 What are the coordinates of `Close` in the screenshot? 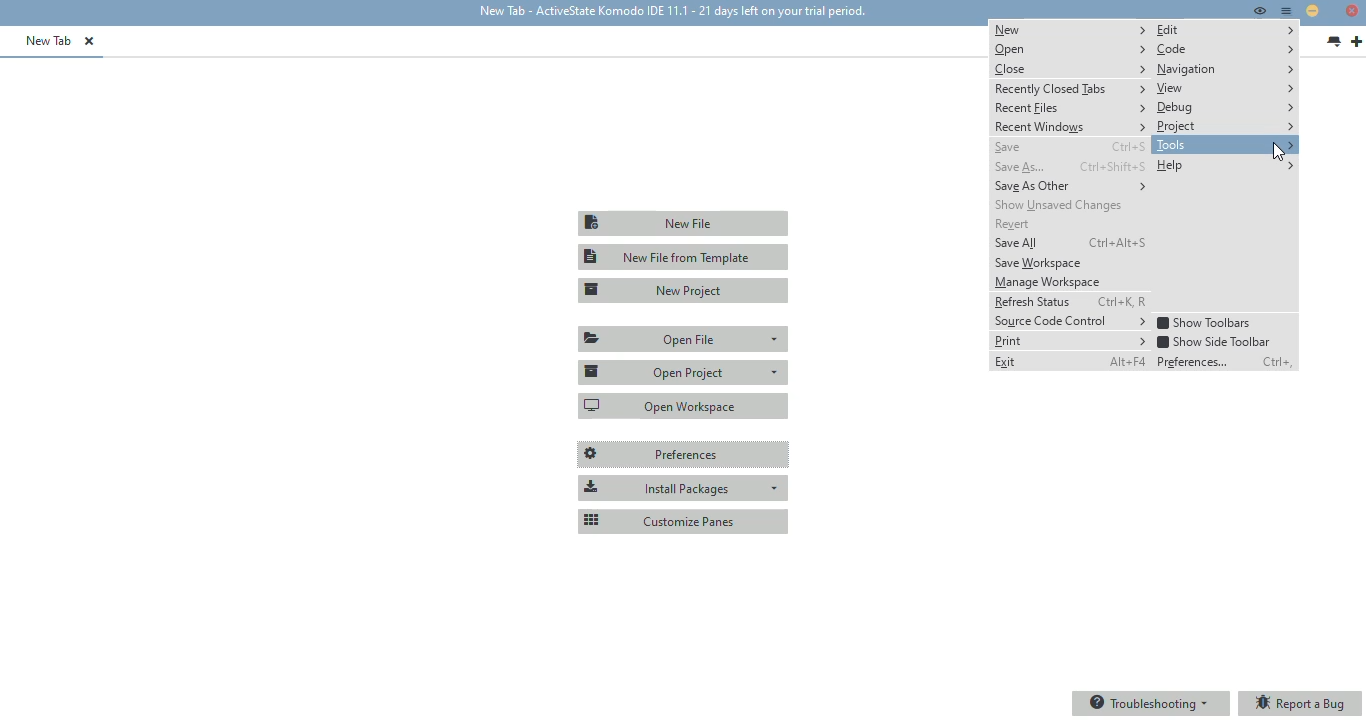 It's located at (1352, 12).